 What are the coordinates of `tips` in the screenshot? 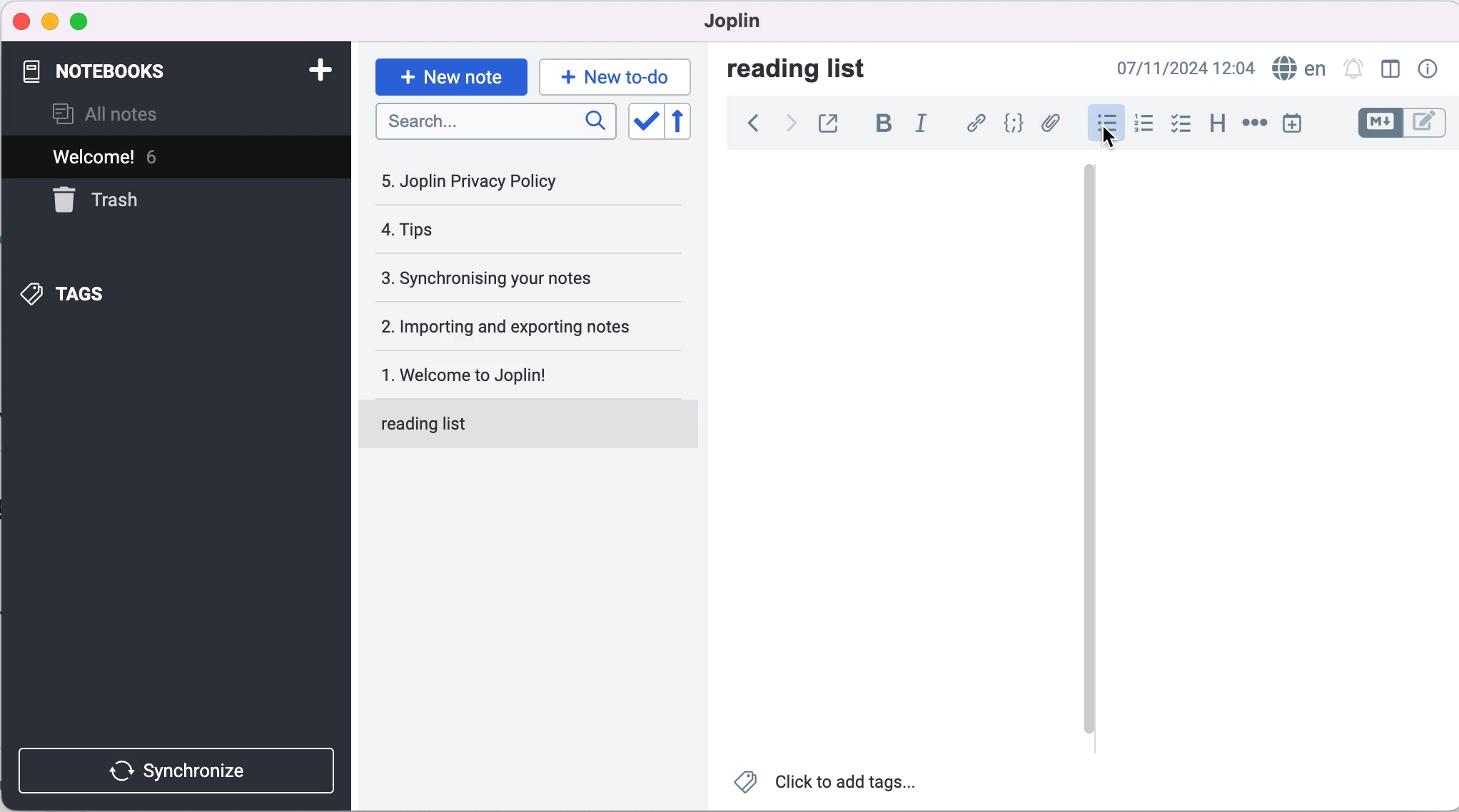 It's located at (499, 230).